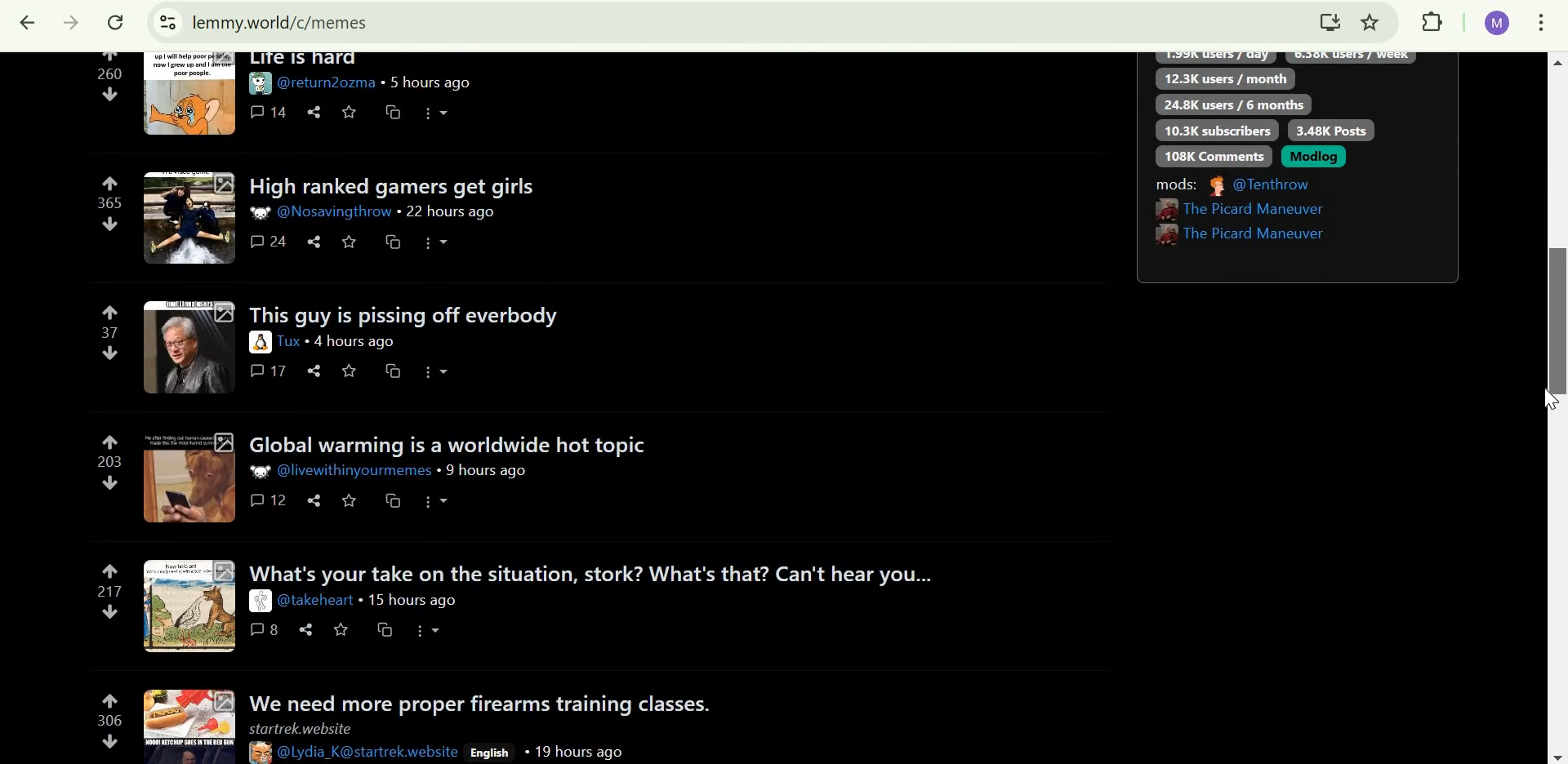 The height and width of the screenshot is (764, 1568). Describe the element at coordinates (430, 629) in the screenshot. I see `more` at that location.